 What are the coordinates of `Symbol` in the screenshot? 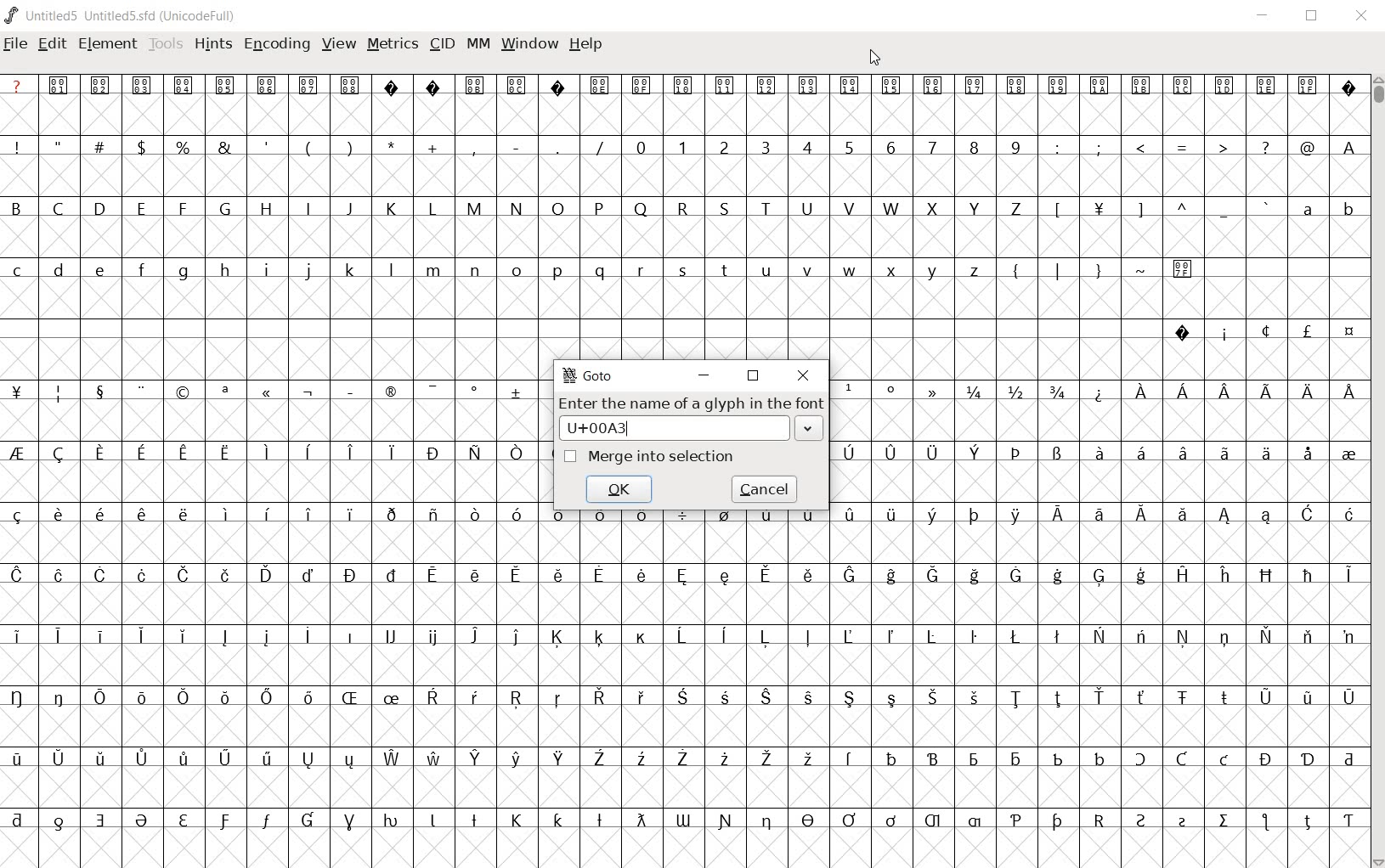 It's located at (599, 821).